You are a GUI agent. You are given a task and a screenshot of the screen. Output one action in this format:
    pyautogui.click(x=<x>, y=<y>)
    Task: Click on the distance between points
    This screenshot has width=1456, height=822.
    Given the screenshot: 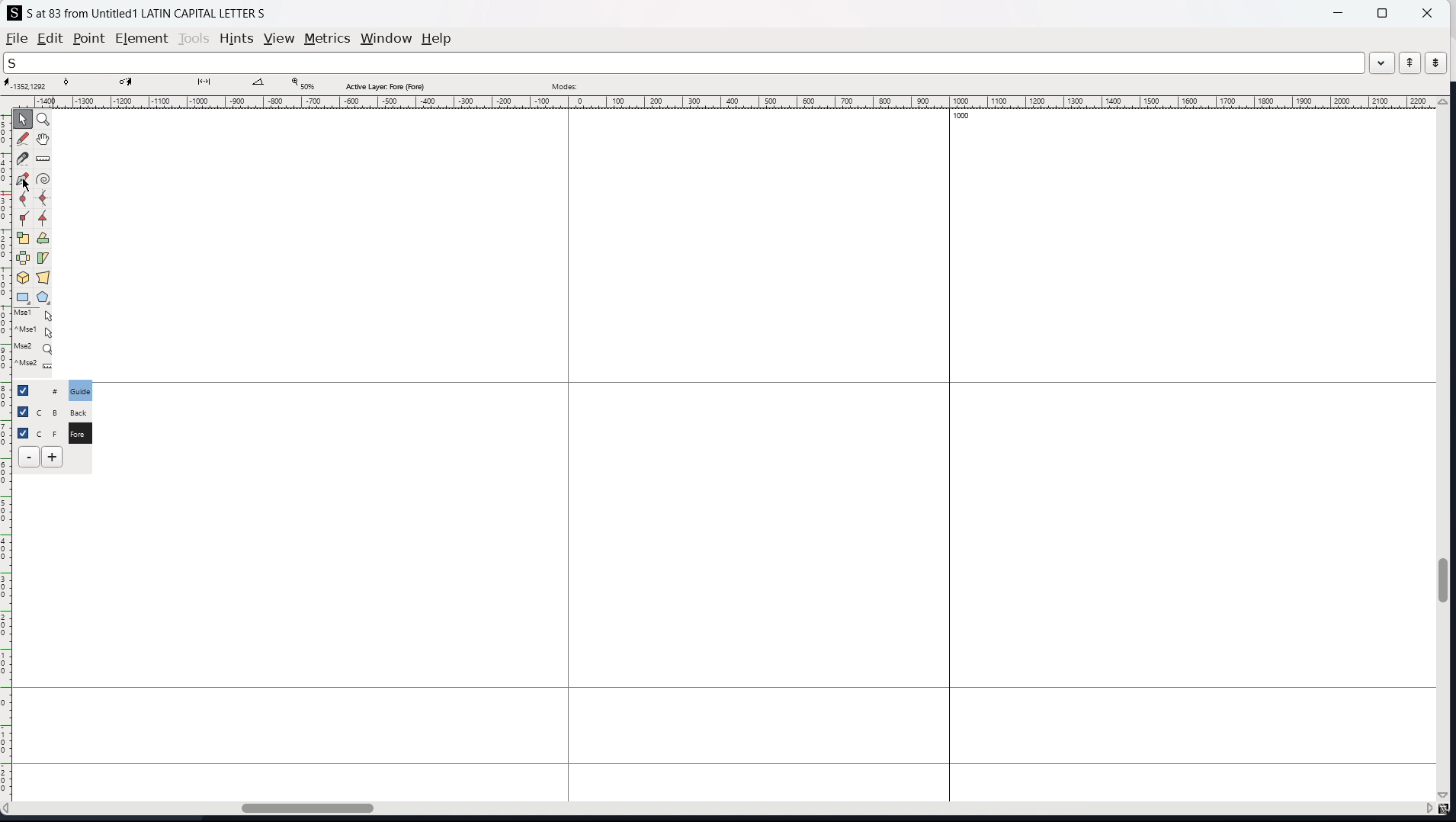 What is the action you would take?
    pyautogui.click(x=204, y=84)
    